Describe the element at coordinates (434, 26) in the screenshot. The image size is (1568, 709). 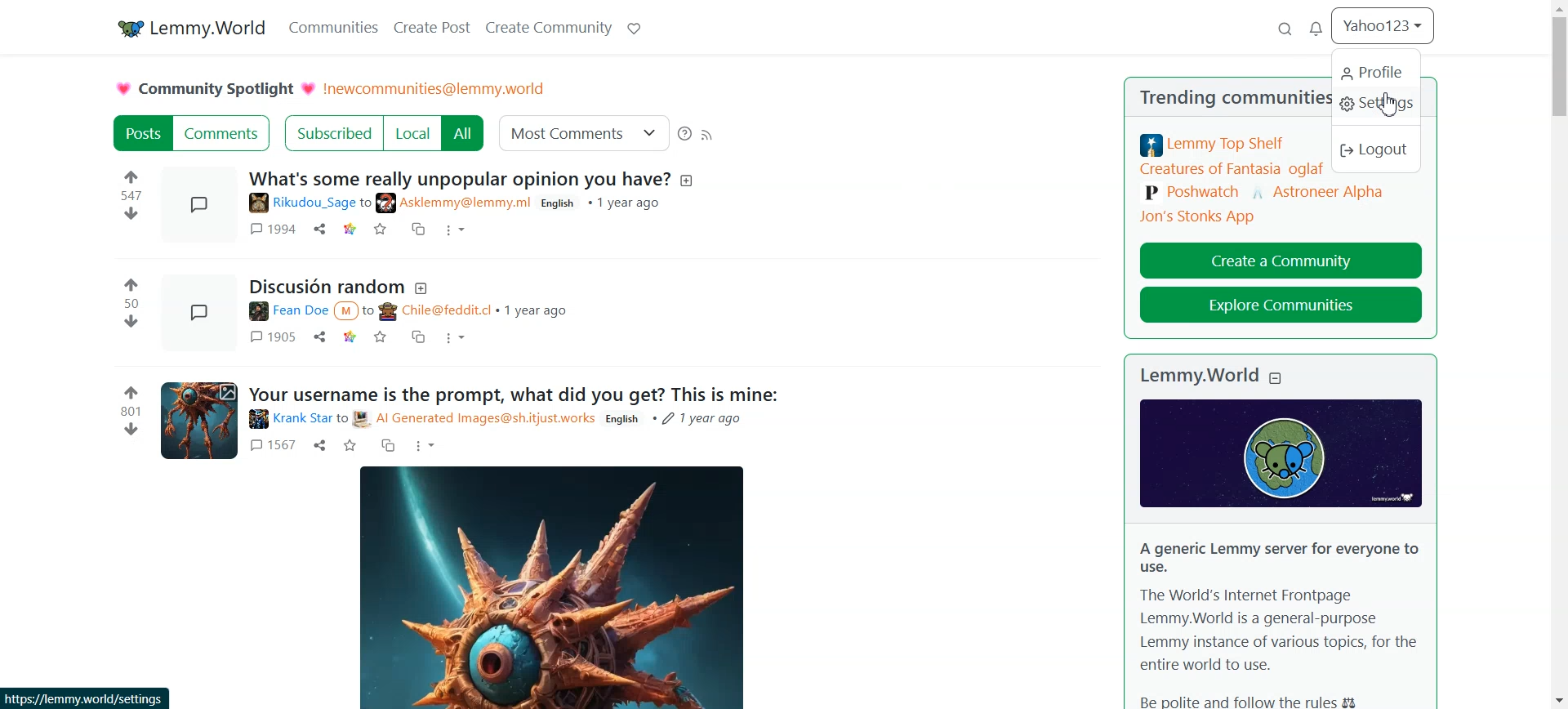
I see `Create Post` at that location.